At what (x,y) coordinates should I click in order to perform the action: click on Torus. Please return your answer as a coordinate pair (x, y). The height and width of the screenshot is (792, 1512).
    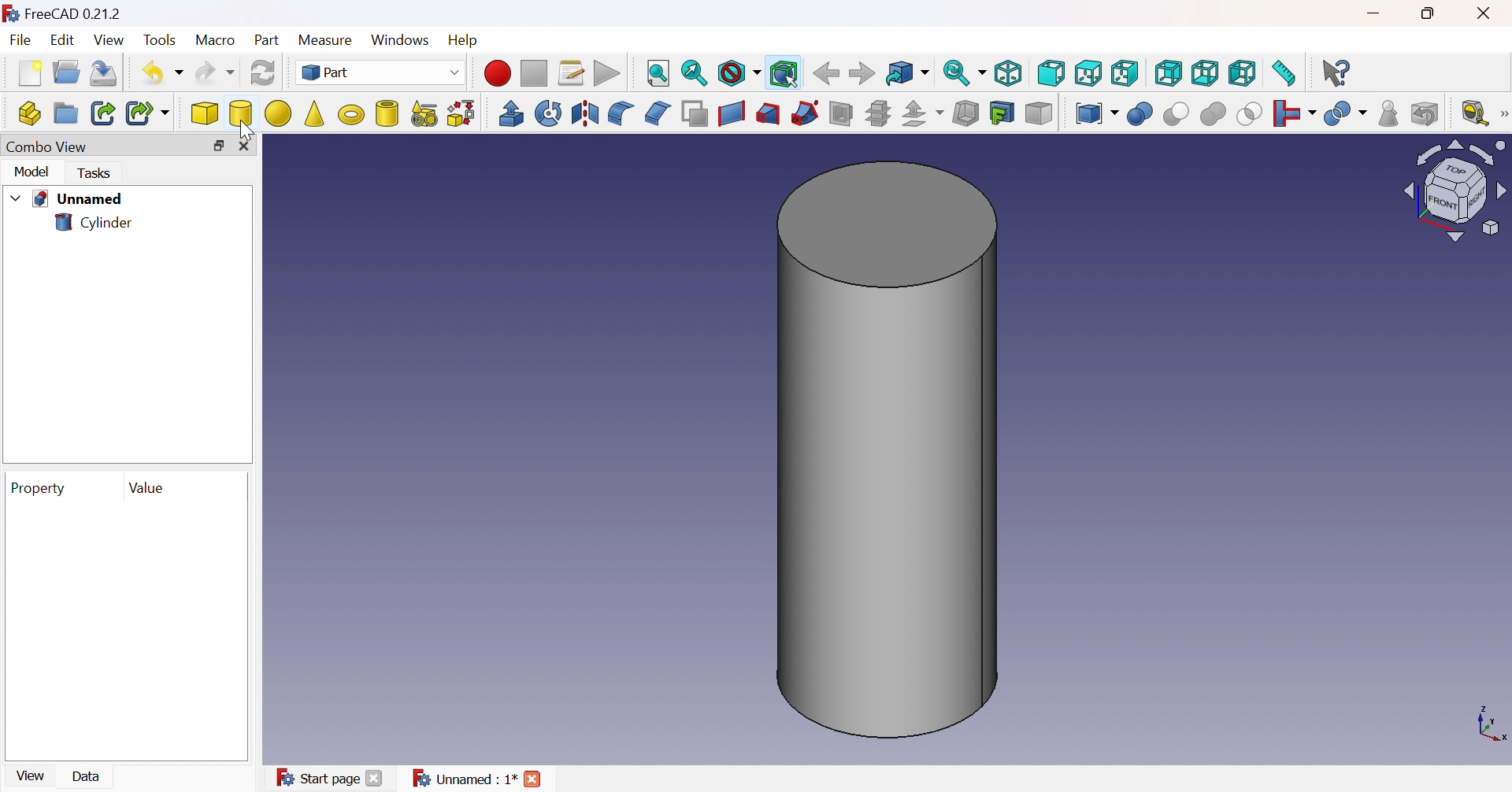
    Looking at the image, I should click on (352, 113).